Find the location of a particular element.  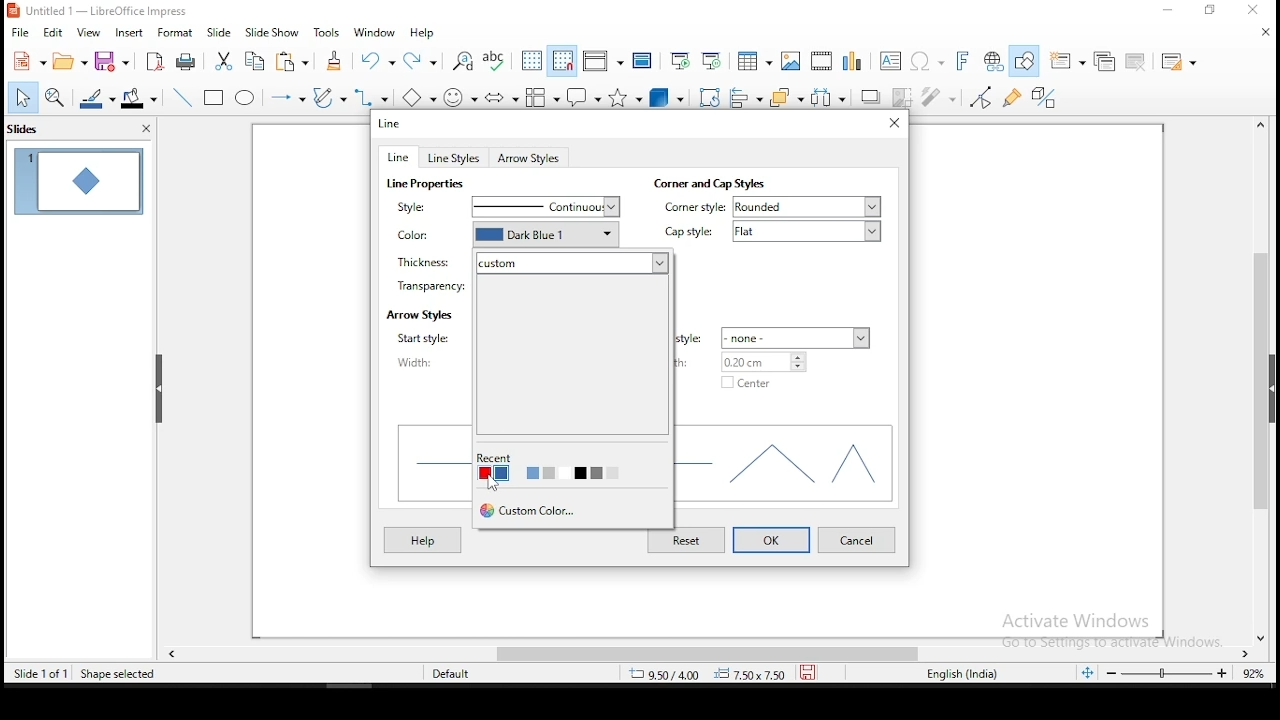

color option is located at coordinates (517, 474).